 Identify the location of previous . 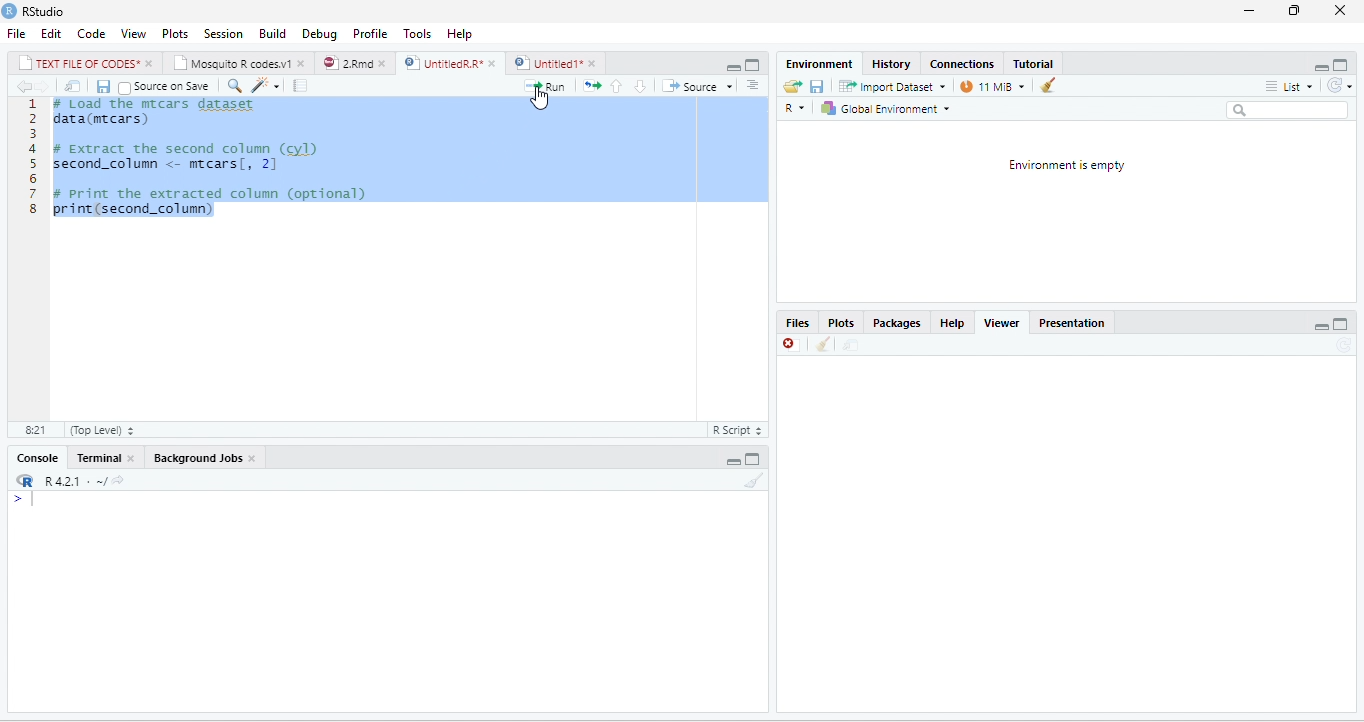
(22, 86).